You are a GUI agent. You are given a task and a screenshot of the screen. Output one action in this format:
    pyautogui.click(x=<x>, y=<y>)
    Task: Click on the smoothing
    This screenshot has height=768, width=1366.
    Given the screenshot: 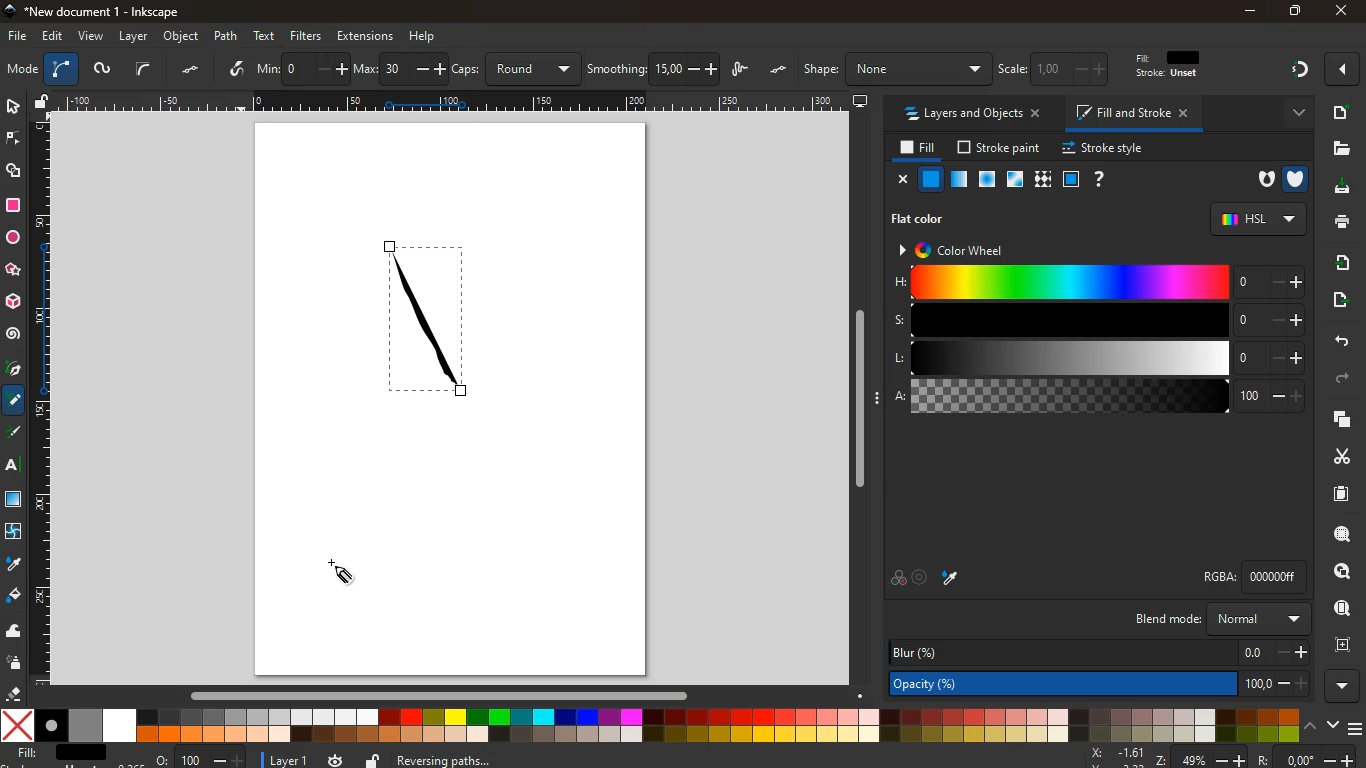 What is the action you would take?
    pyautogui.click(x=654, y=69)
    